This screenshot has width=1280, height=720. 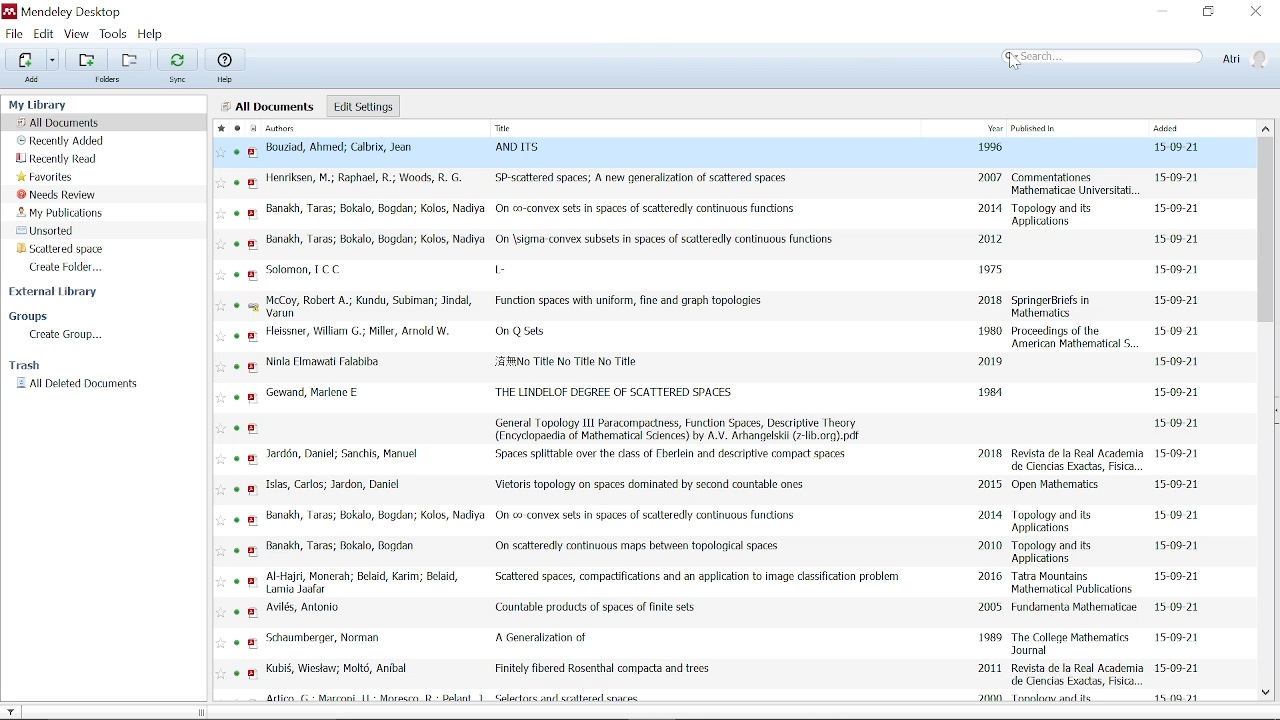 What do you see at coordinates (1158, 10) in the screenshot?
I see `Minimize` at bounding box center [1158, 10].